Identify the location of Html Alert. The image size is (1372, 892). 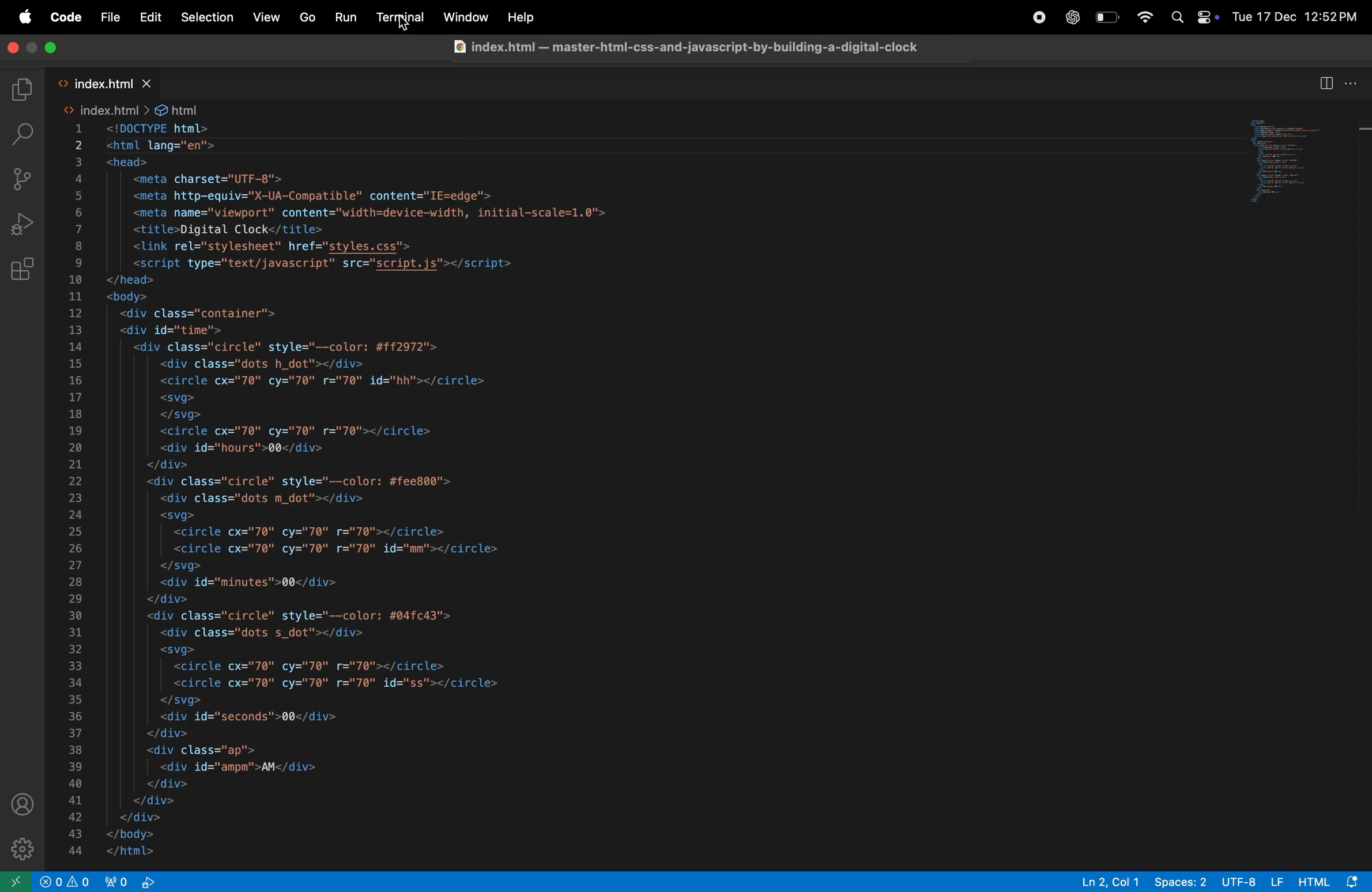
(1333, 881).